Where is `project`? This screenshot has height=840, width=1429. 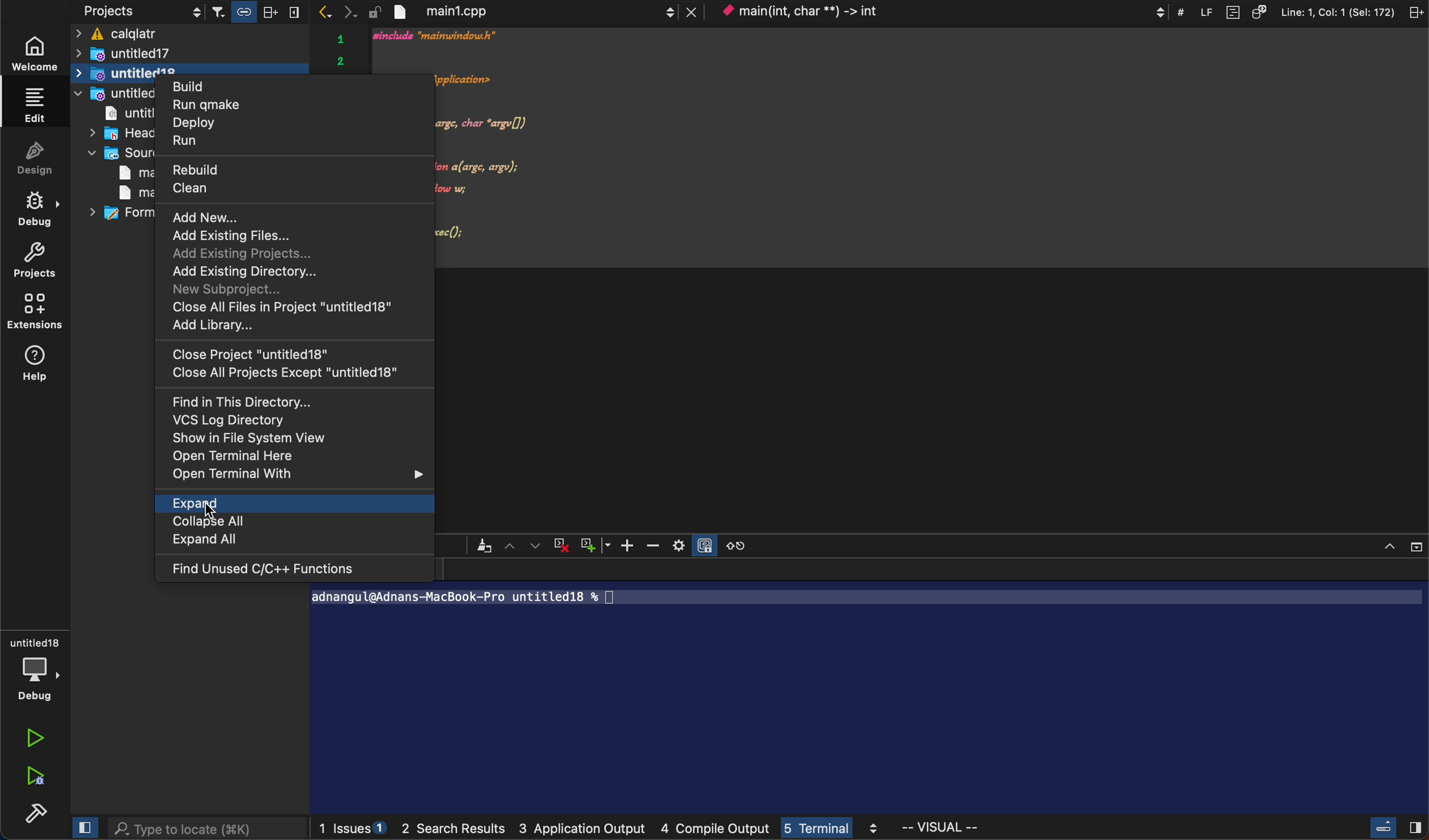
project is located at coordinates (34, 260).